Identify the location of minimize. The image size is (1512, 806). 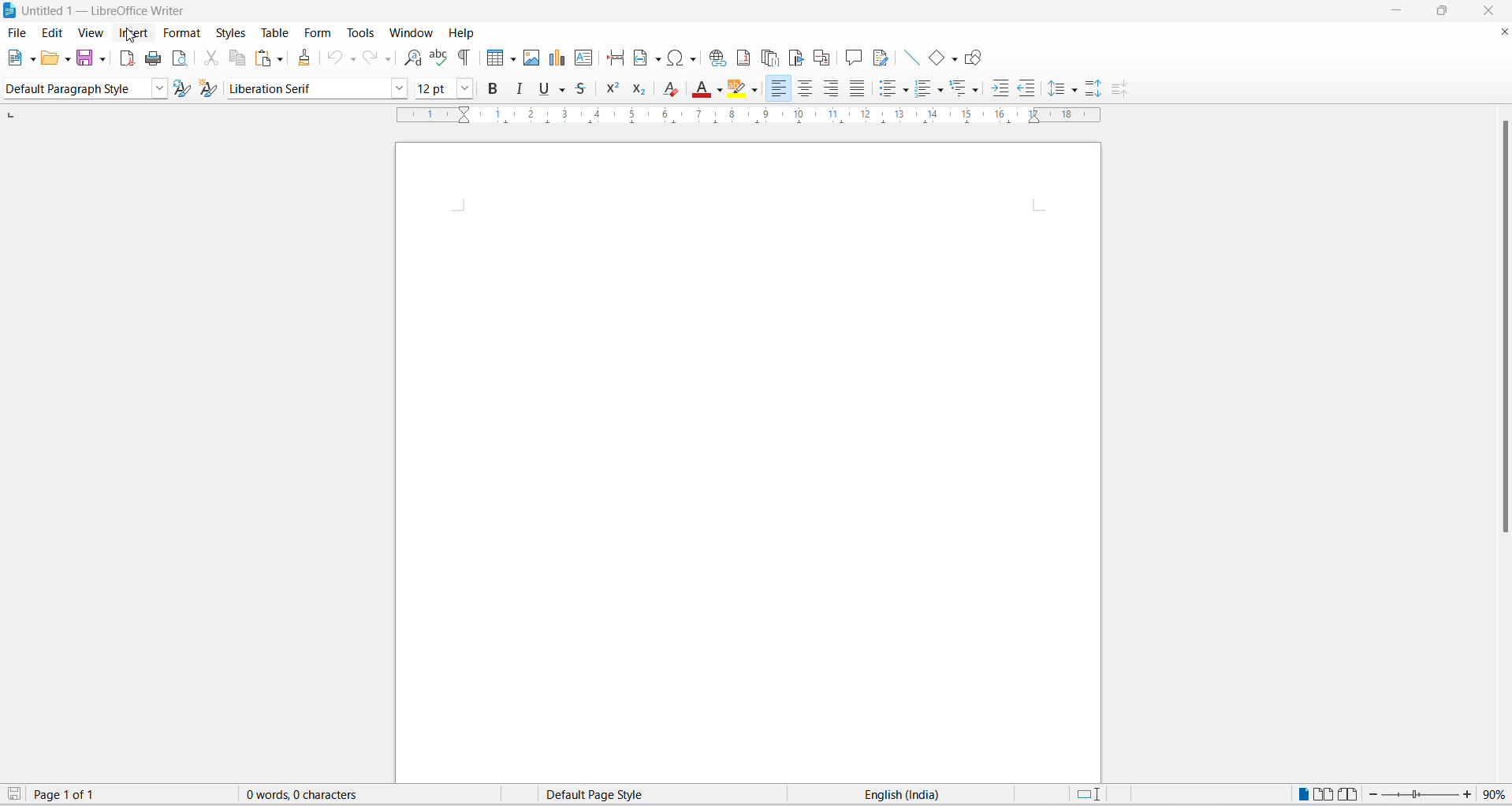
(1400, 12).